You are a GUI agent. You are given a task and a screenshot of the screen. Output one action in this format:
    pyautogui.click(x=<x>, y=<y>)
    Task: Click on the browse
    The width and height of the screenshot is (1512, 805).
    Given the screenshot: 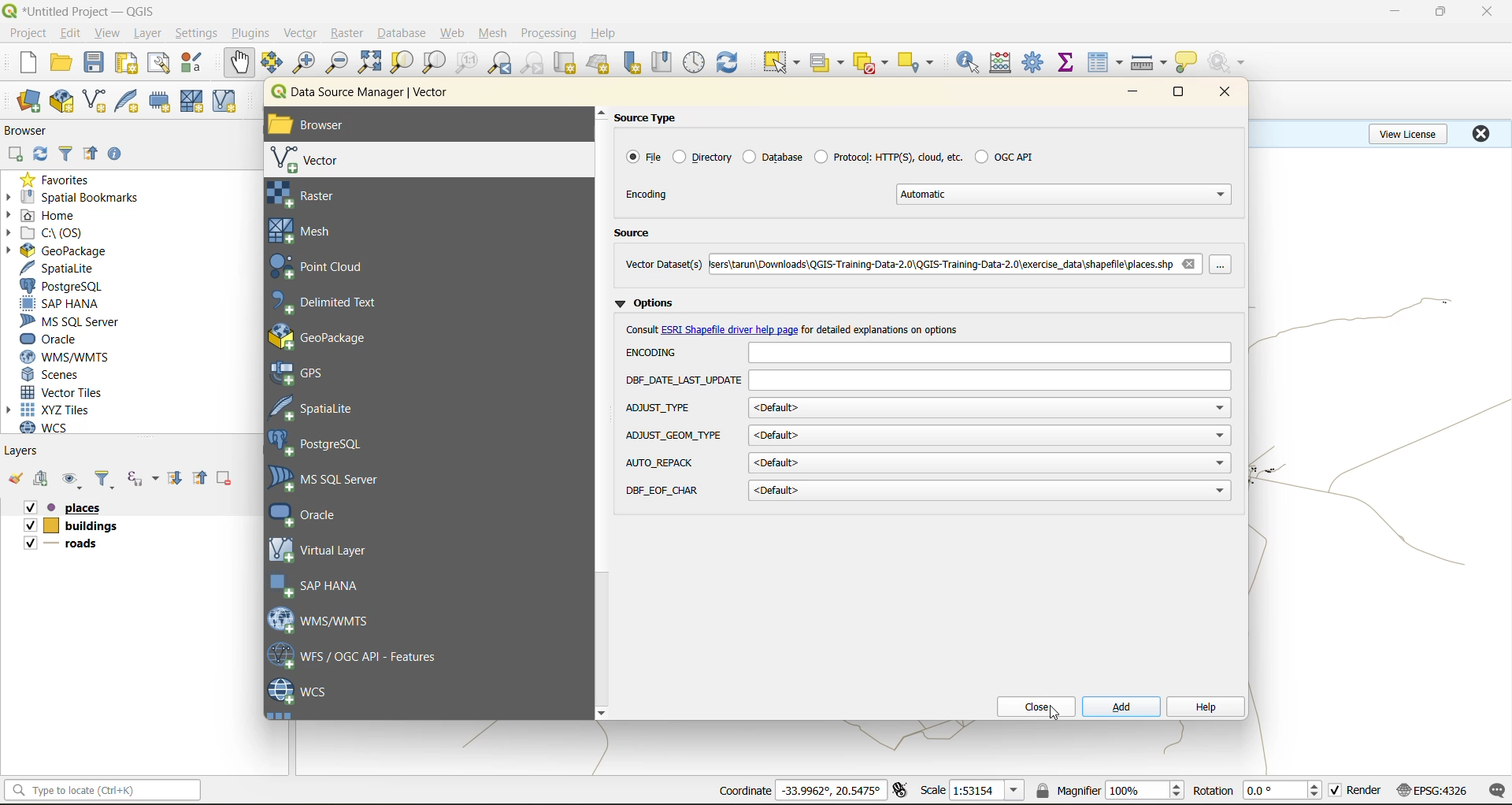 What is the action you would take?
    pyautogui.click(x=1225, y=265)
    